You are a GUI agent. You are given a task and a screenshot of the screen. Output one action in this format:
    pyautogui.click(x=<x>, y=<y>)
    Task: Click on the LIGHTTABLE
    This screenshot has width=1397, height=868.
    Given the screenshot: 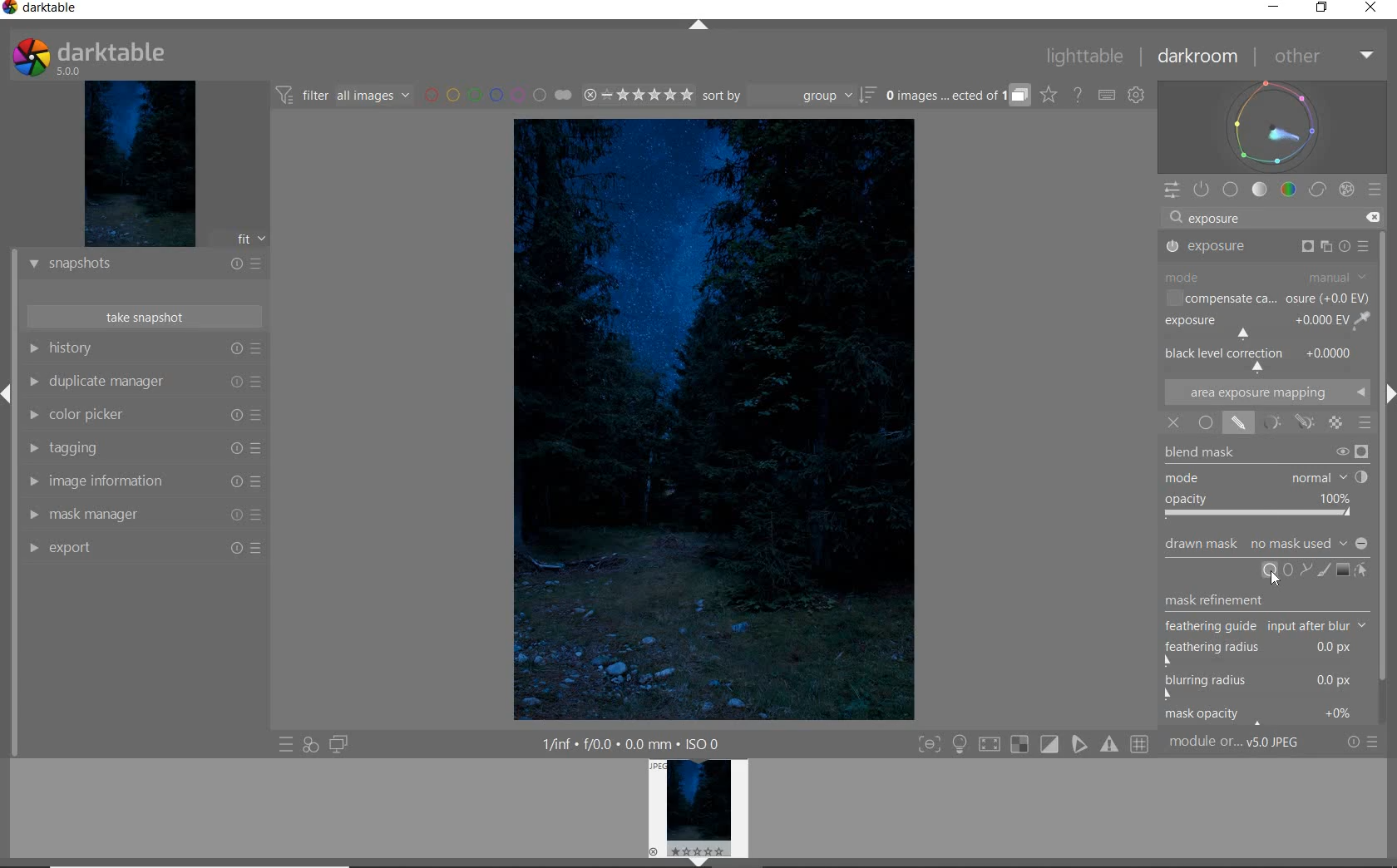 What is the action you would take?
    pyautogui.click(x=1084, y=57)
    